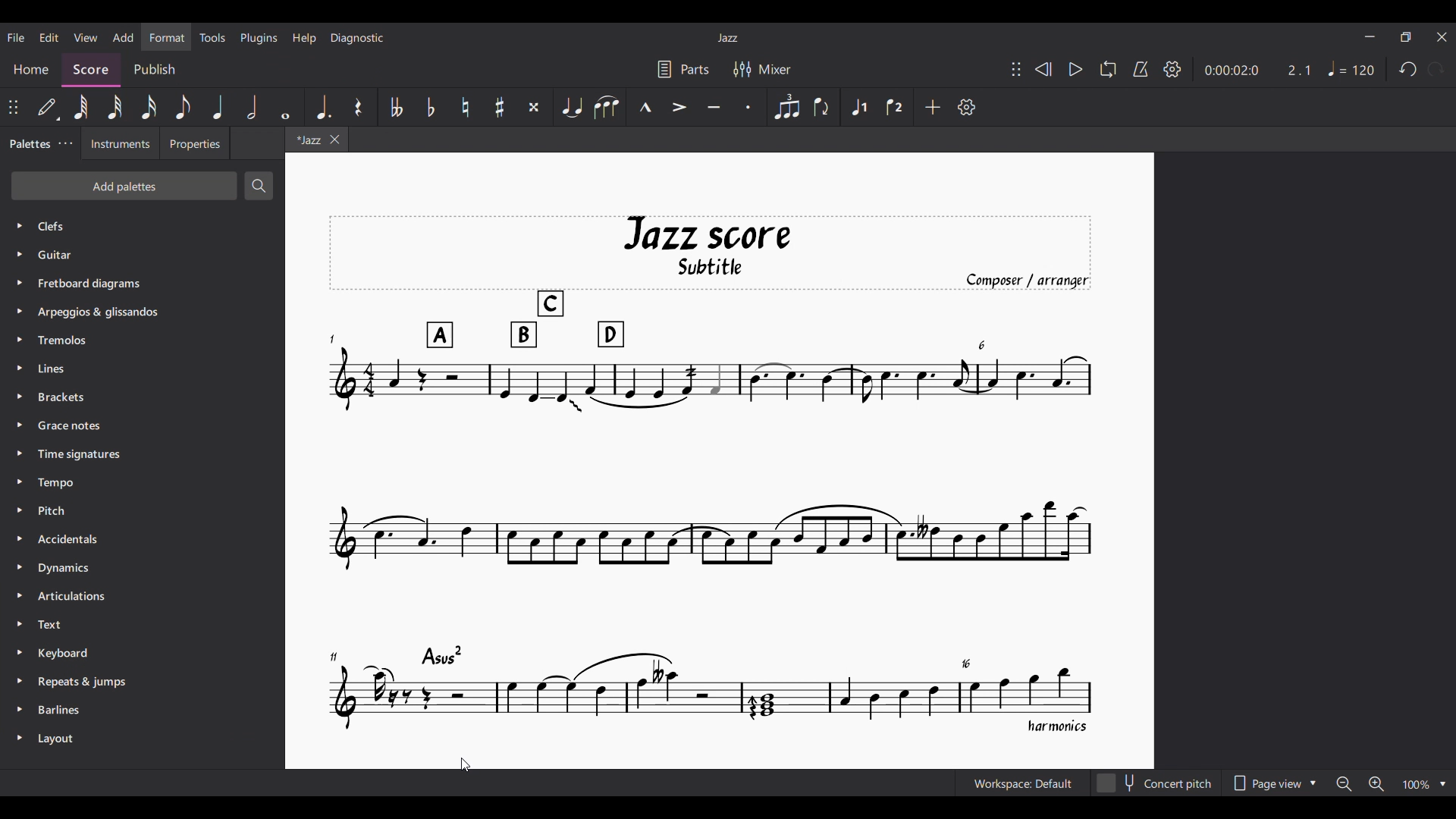 Image resolution: width=1456 pixels, height=819 pixels. What do you see at coordinates (83, 456) in the screenshot?
I see `Time` at bounding box center [83, 456].